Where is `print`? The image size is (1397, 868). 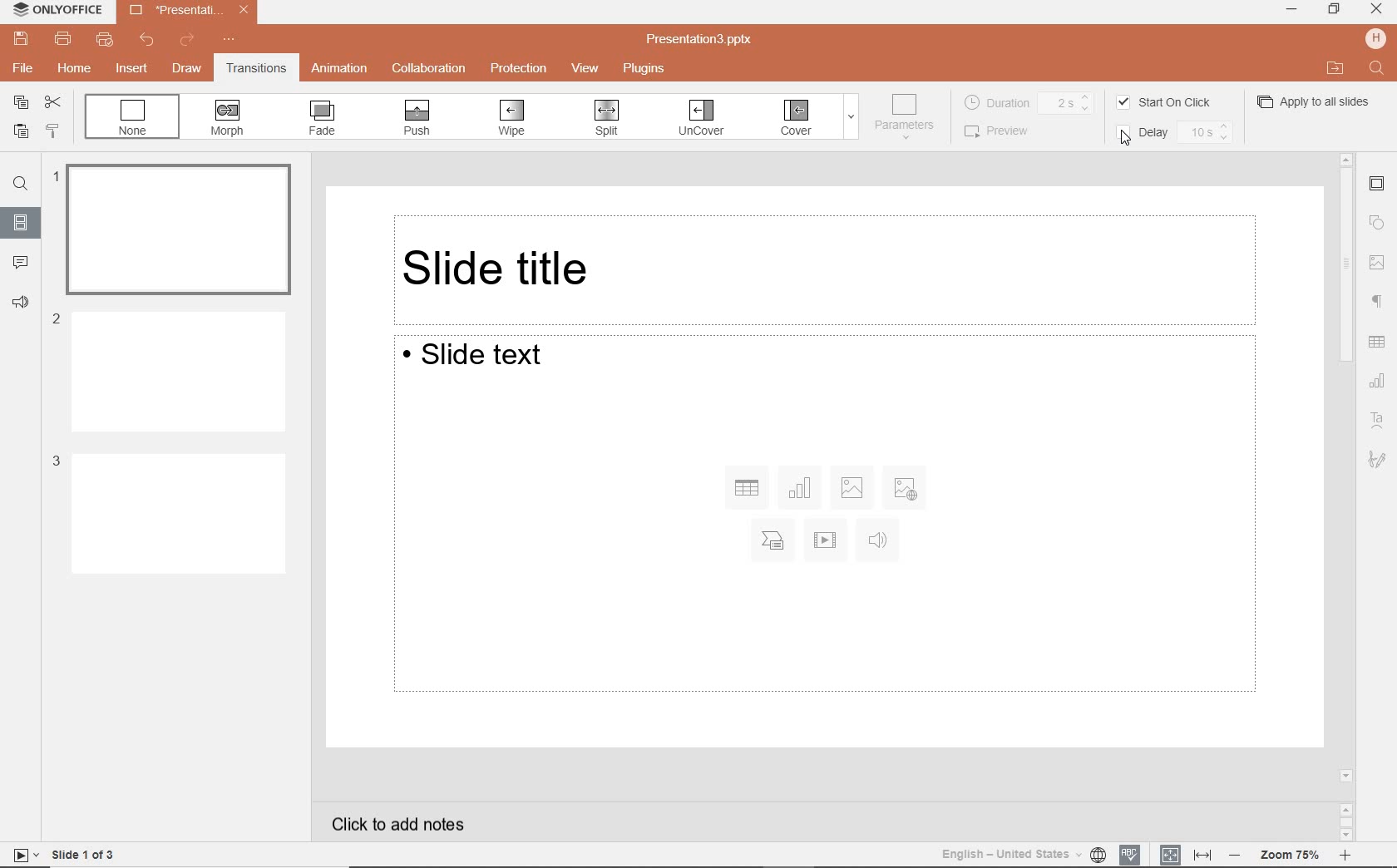 print is located at coordinates (63, 37).